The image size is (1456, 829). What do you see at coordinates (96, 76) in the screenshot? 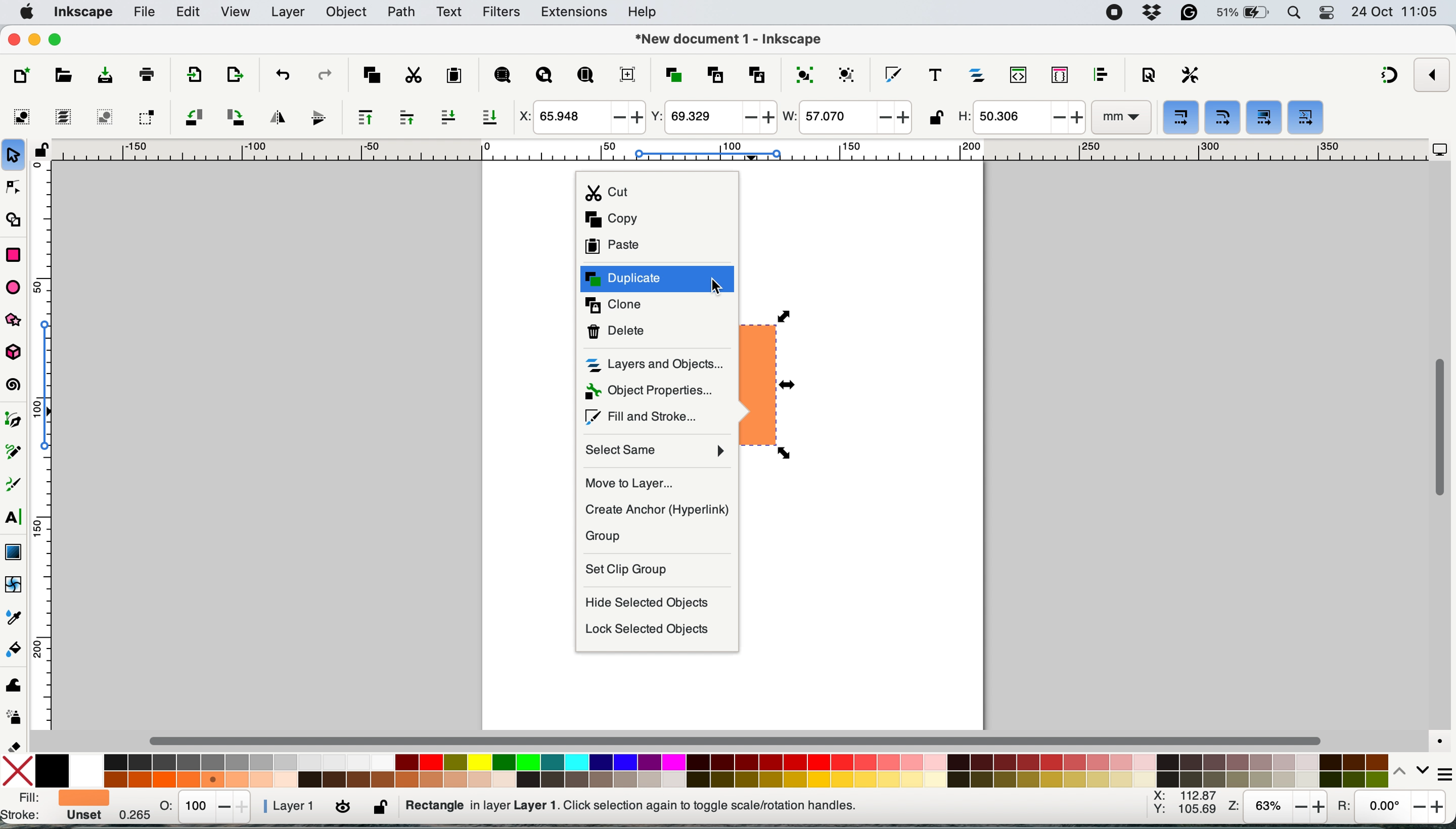
I see `save` at bounding box center [96, 76].